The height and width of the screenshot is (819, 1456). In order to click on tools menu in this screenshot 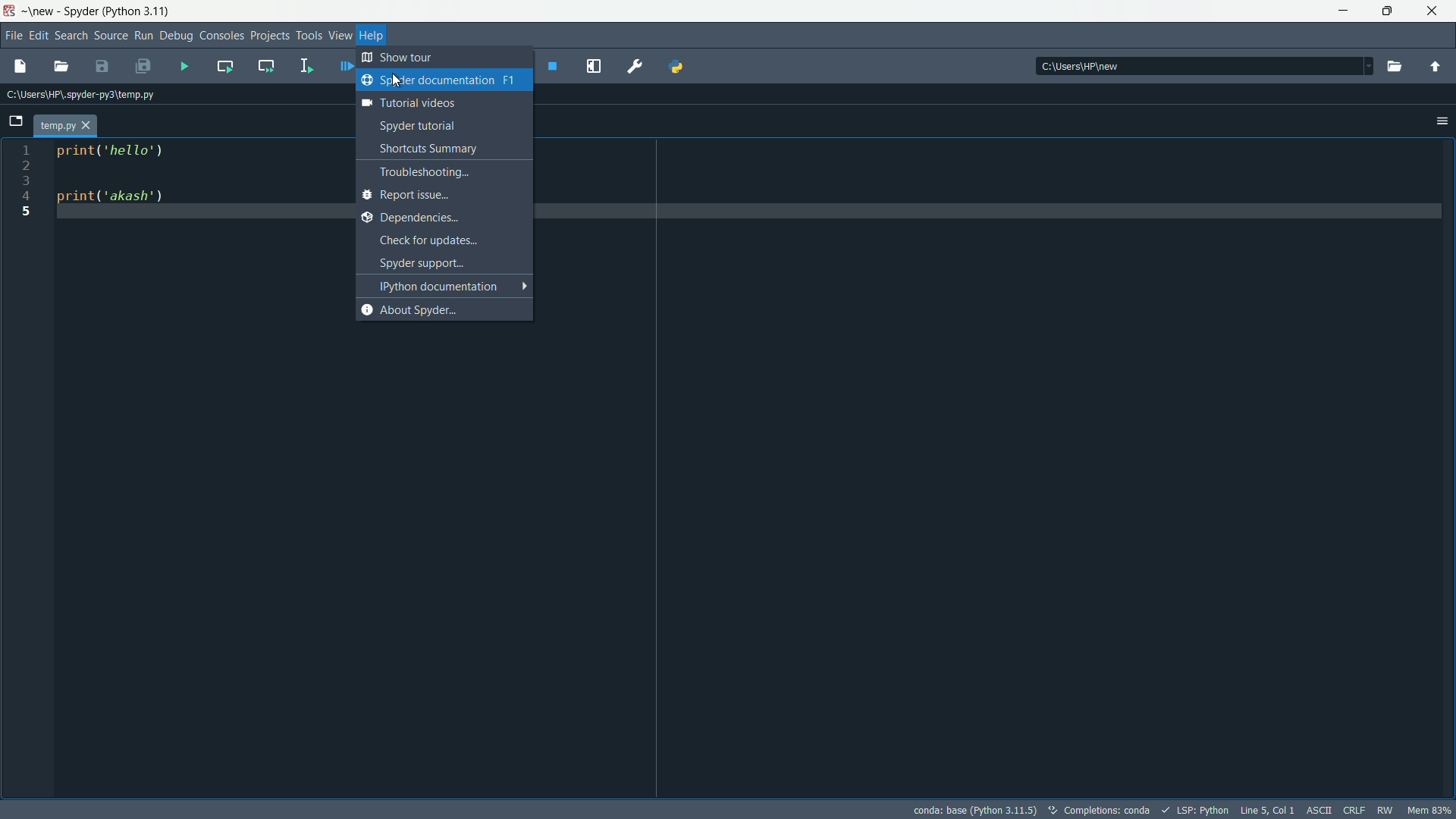, I will do `click(307, 36)`.